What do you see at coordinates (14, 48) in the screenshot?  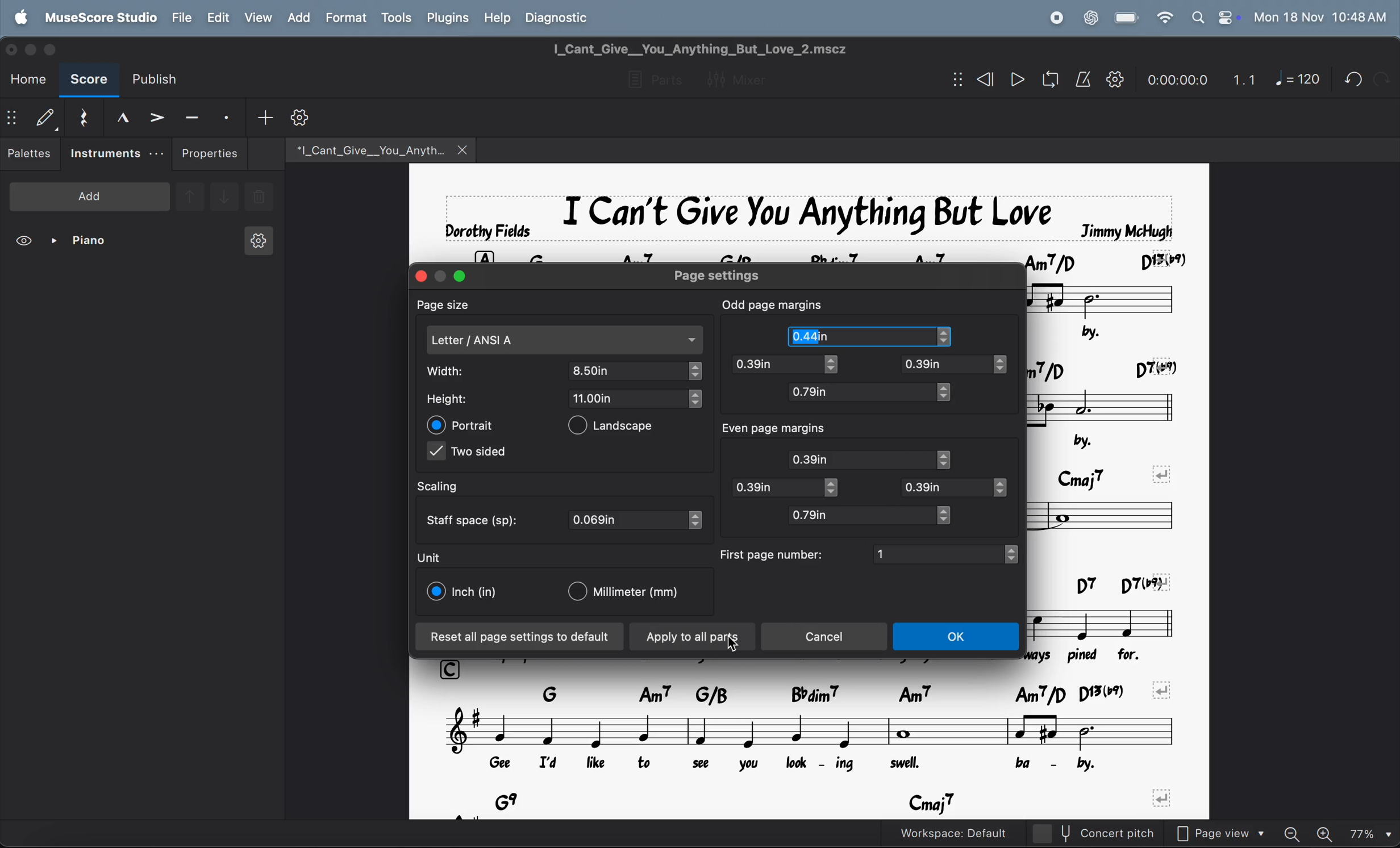 I see `close` at bounding box center [14, 48].